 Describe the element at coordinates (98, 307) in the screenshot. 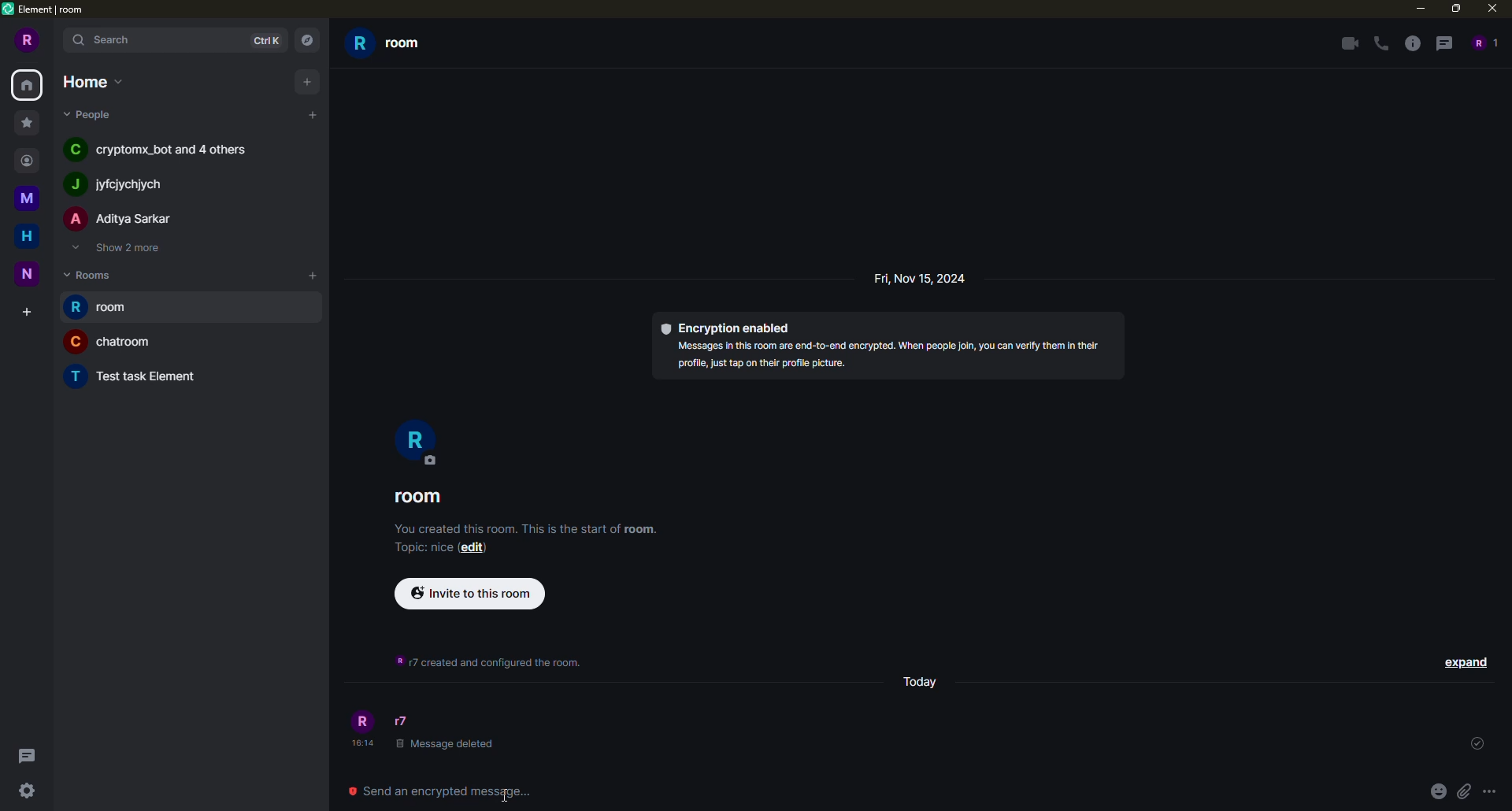

I see `room` at that location.